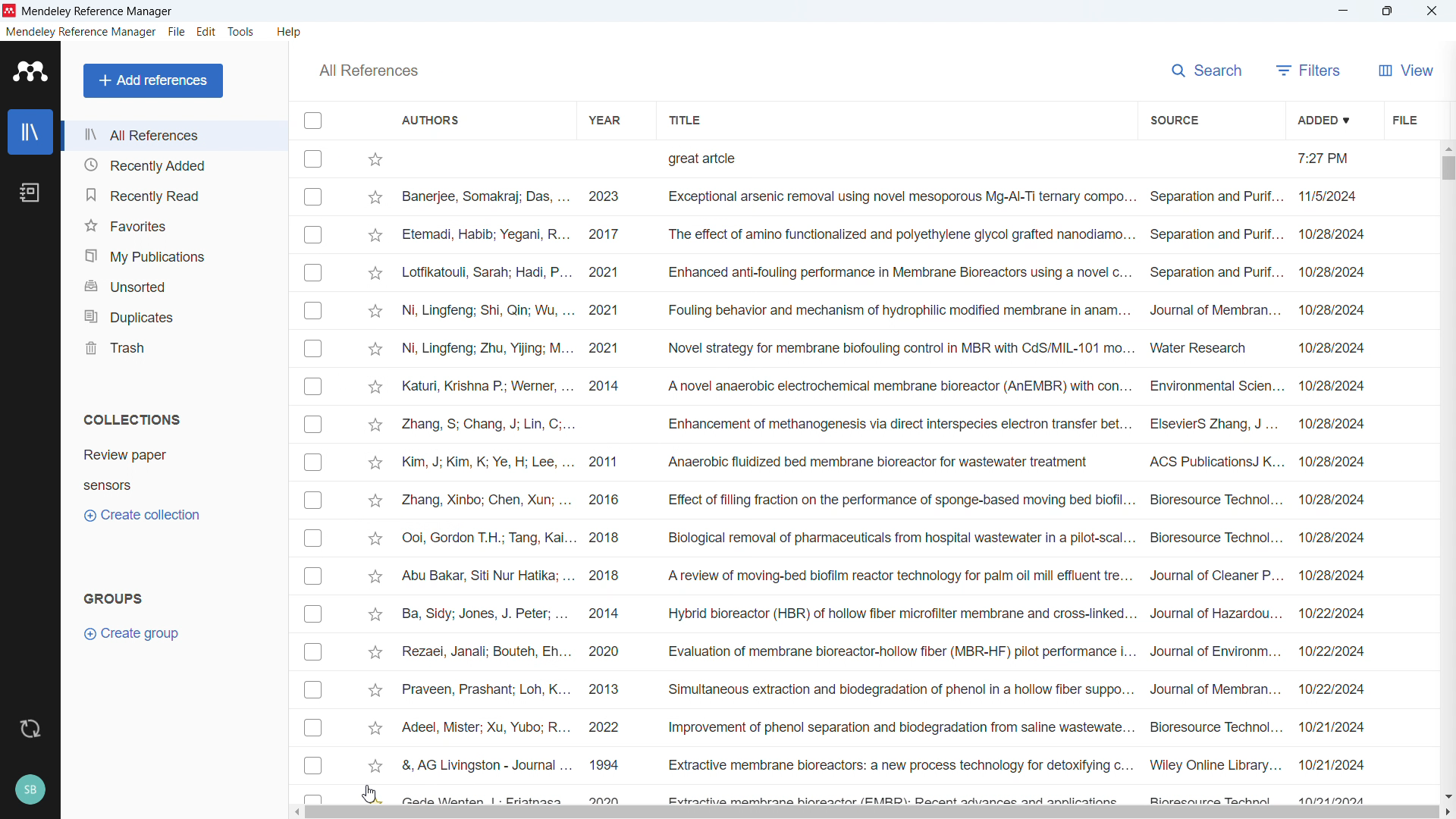 This screenshot has height=819, width=1456. I want to click on filters, so click(1309, 70).